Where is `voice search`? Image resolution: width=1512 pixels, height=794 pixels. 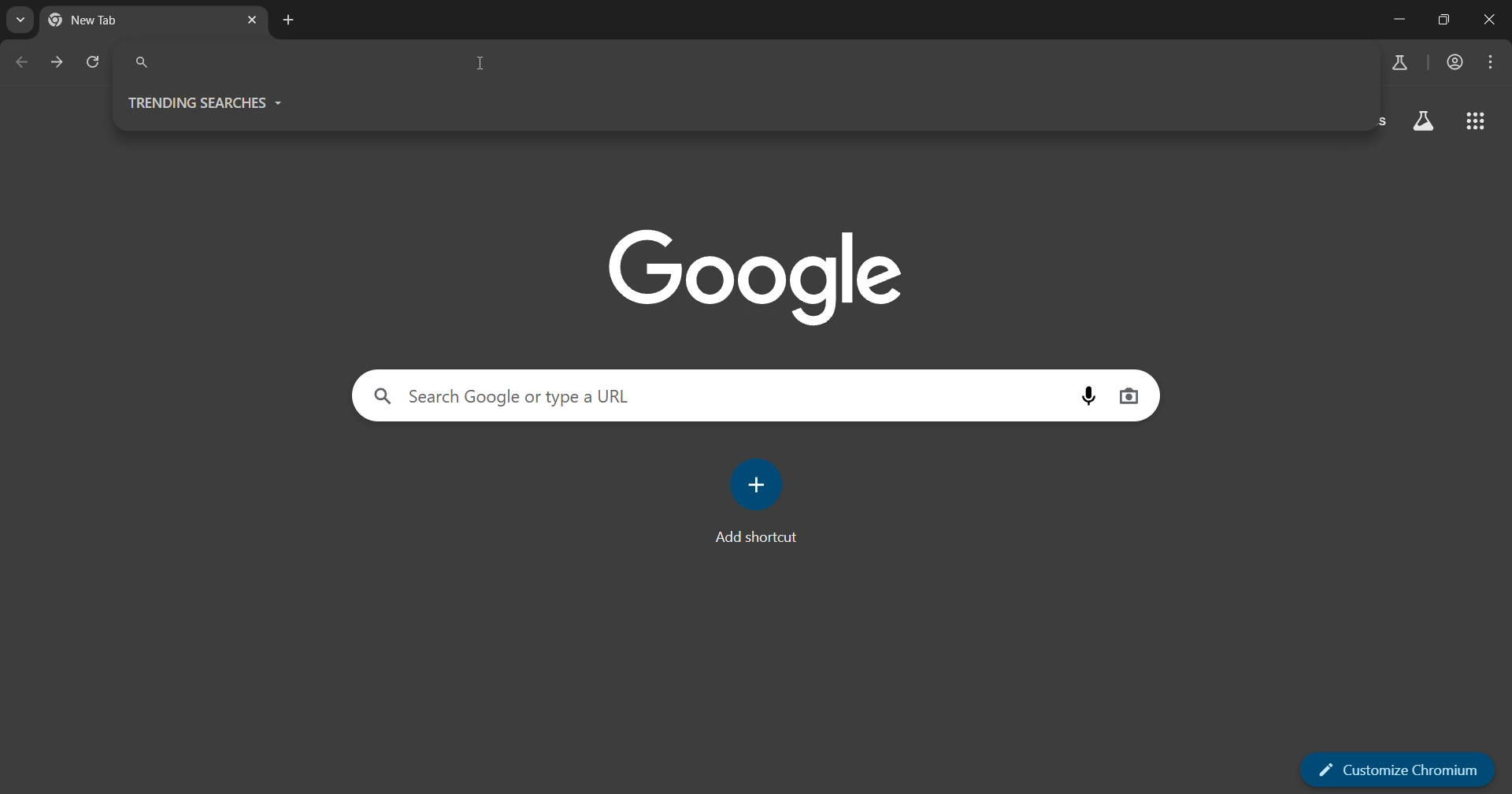
voice search is located at coordinates (1088, 397).